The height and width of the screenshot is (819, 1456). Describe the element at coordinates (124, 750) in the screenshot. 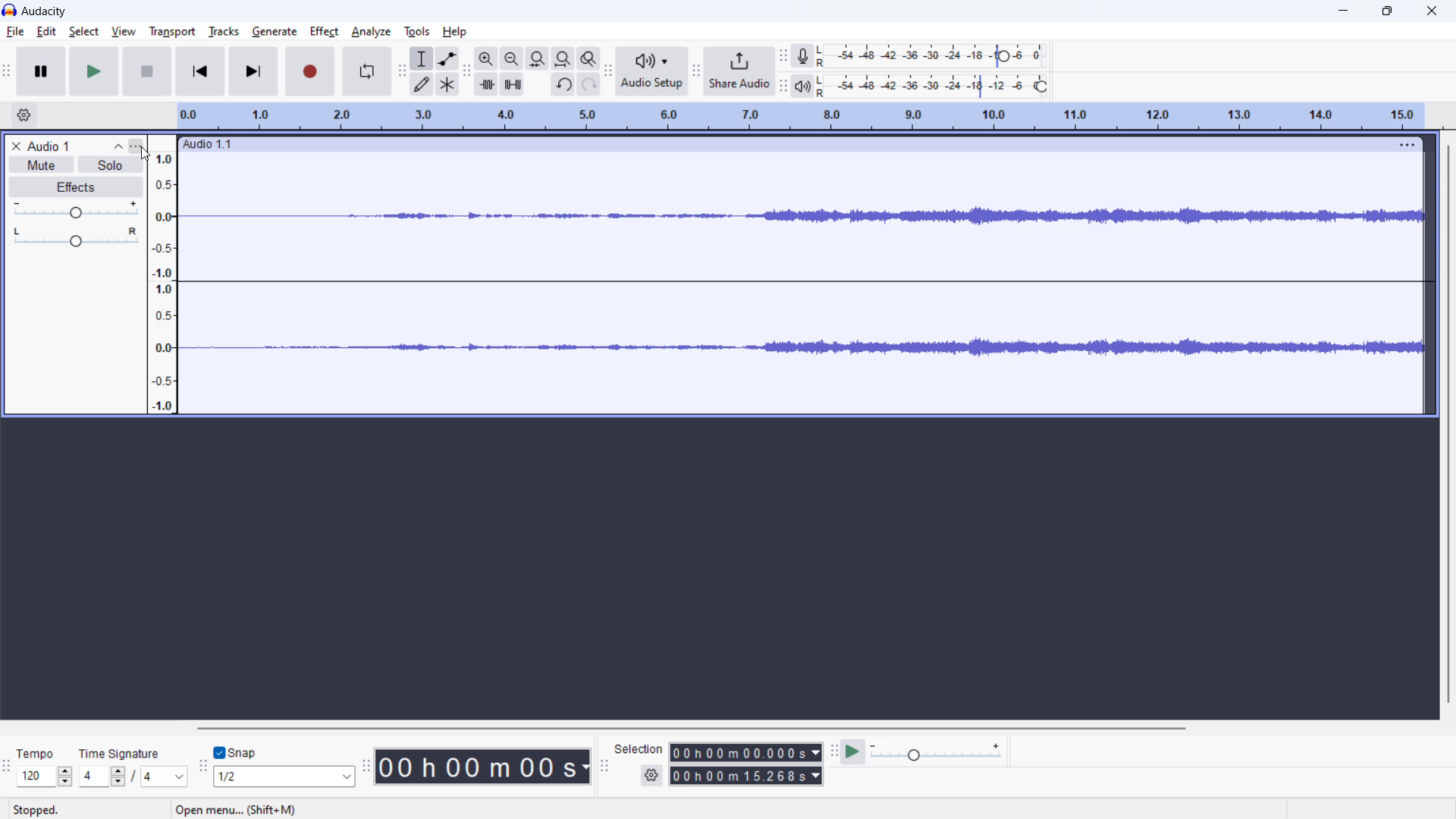

I see `Time Signature` at that location.